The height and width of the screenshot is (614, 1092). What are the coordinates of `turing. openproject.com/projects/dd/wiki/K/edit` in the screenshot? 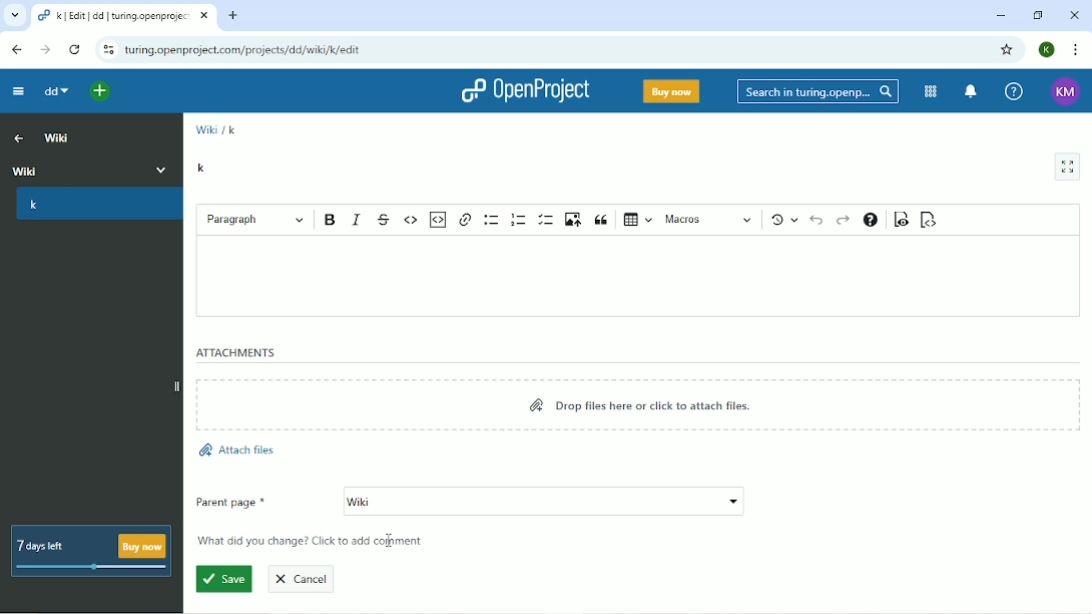 It's located at (250, 53).